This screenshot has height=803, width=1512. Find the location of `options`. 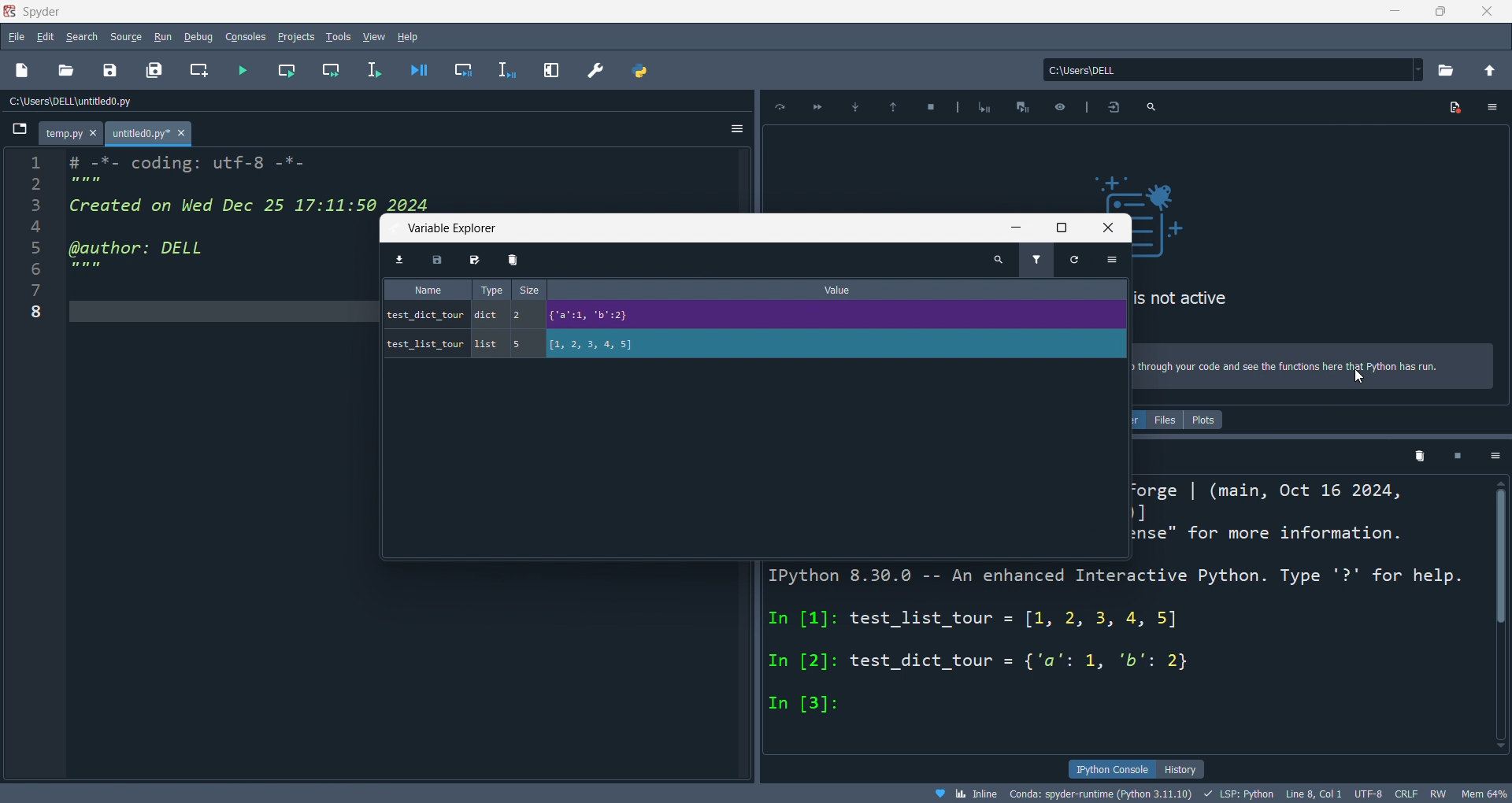

options is located at coordinates (732, 129).